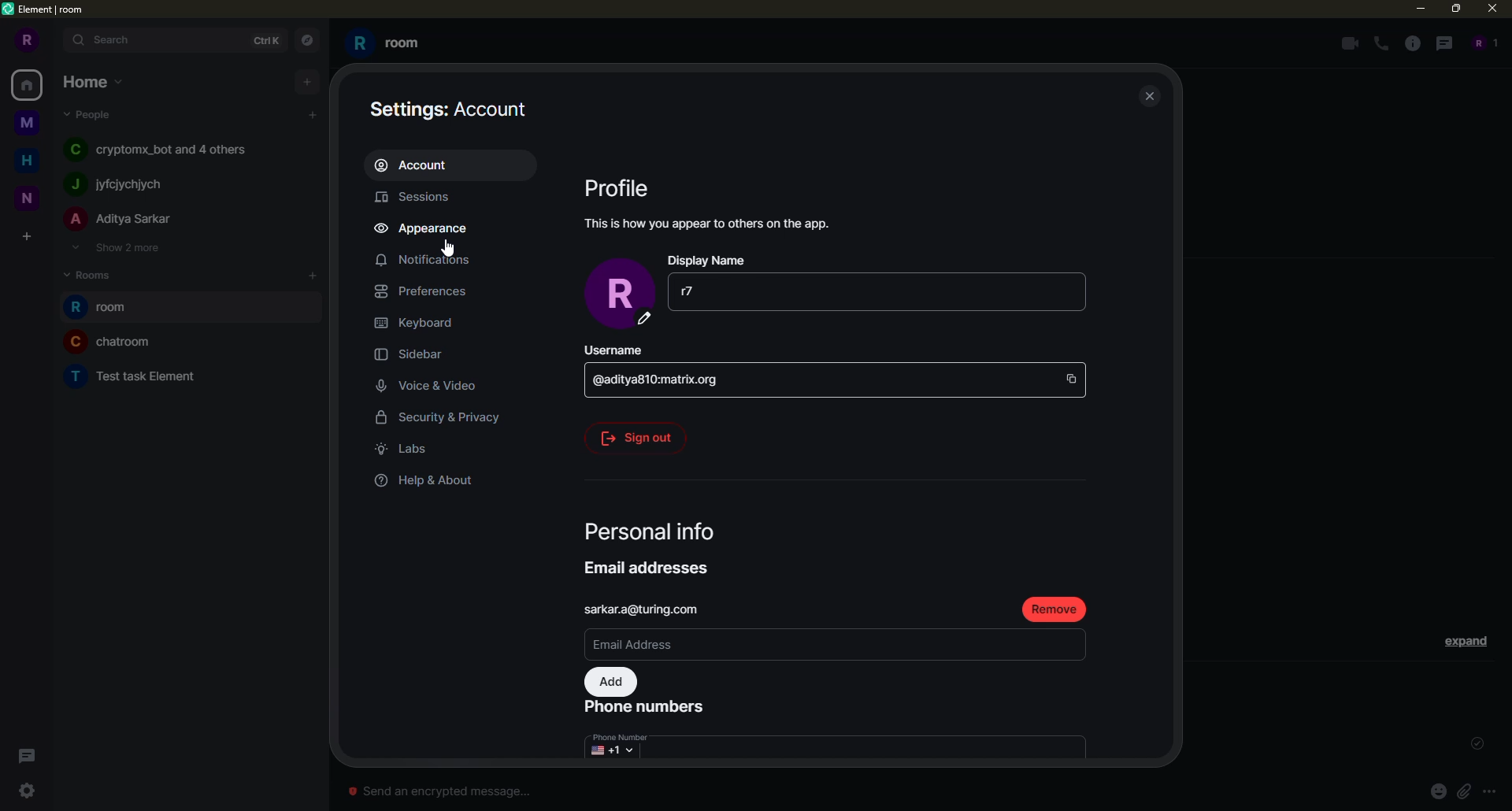  I want to click on close, so click(1495, 8).